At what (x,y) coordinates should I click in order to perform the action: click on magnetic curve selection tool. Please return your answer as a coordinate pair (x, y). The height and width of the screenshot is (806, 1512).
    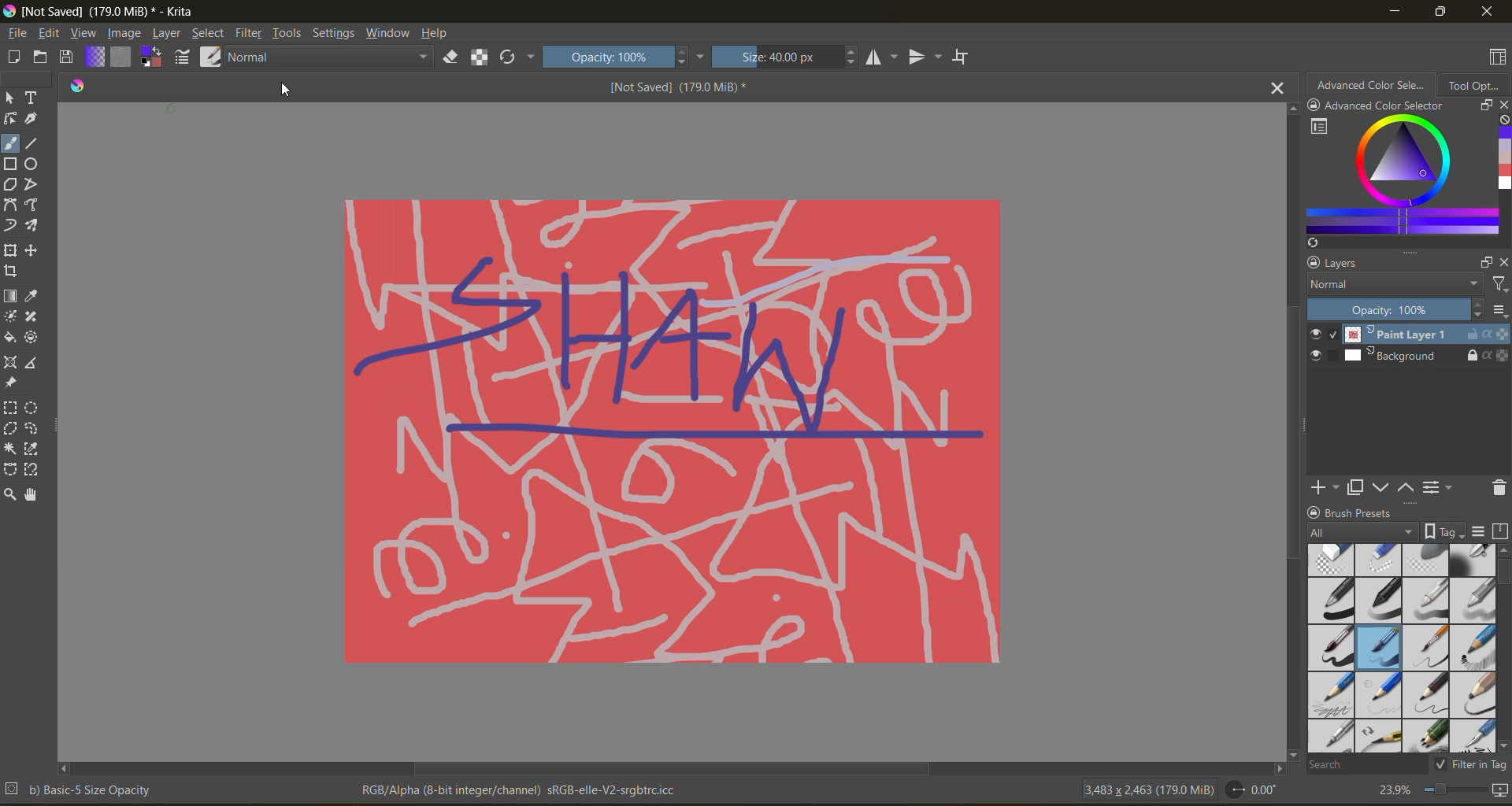
    Looking at the image, I should click on (34, 470).